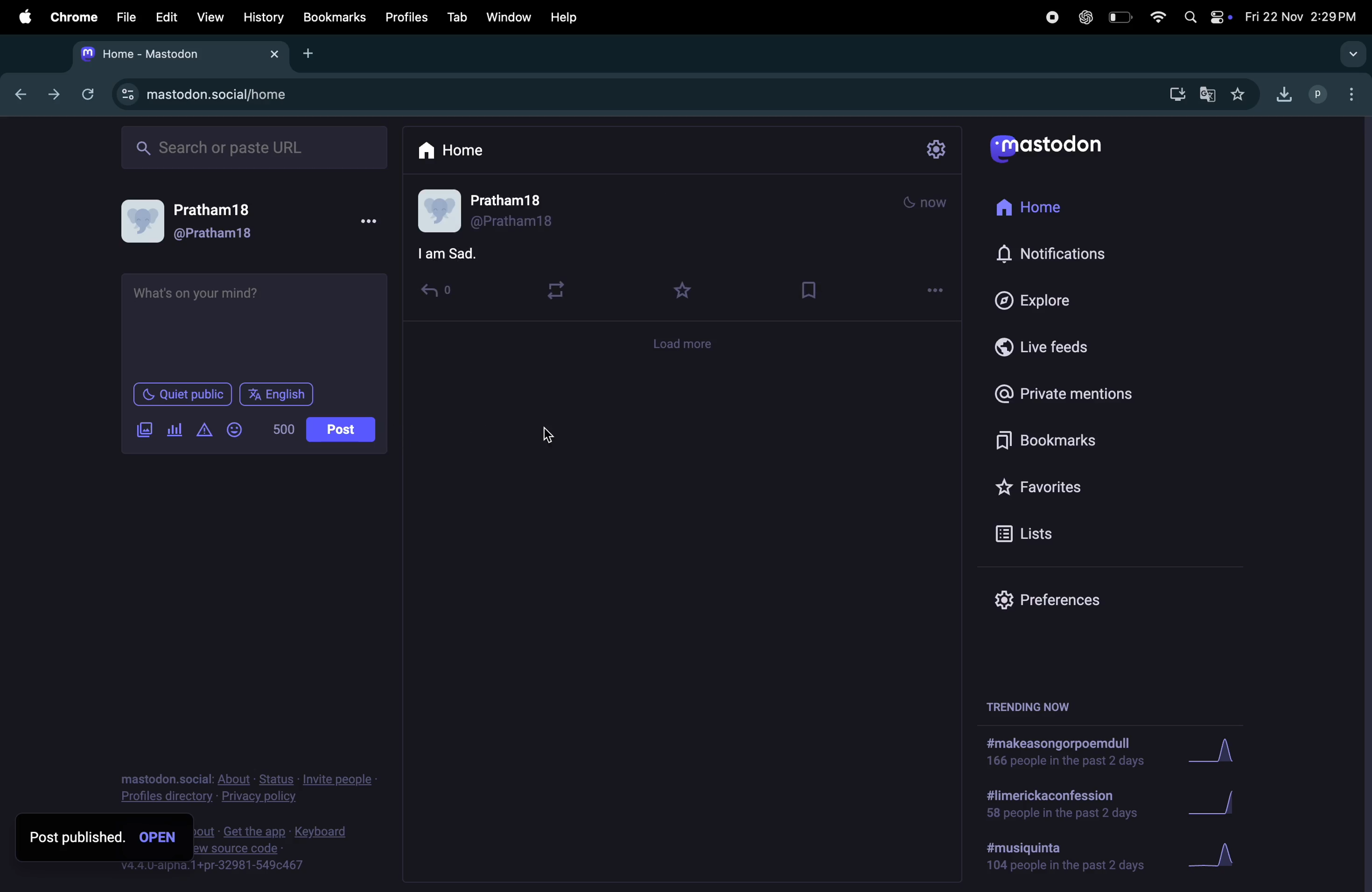 This screenshot has width=1372, height=892. Describe the element at coordinates (367, 222) in the screenshot. I see `more options` at that location.